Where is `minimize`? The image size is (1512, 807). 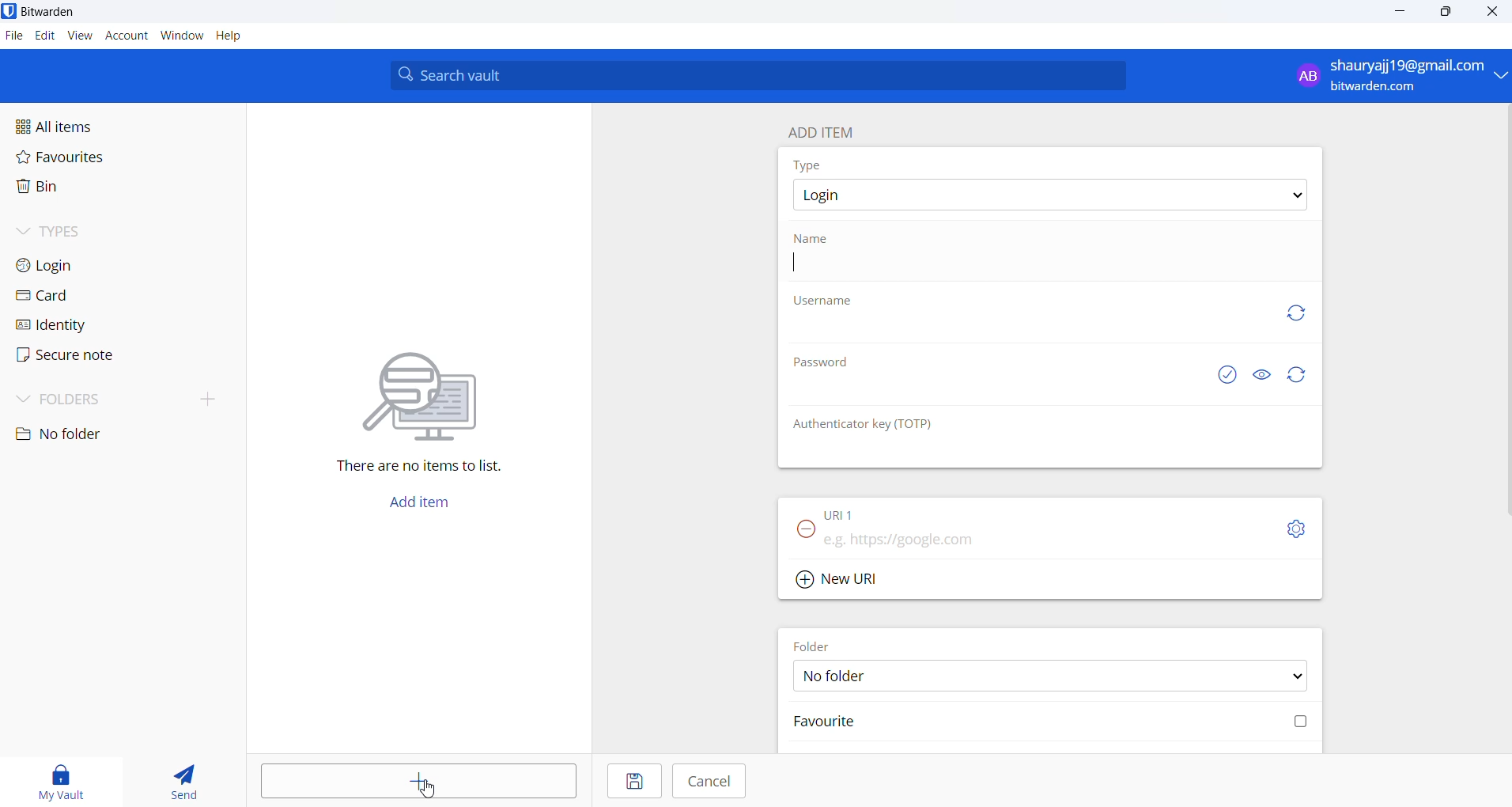
minimize is located at coordinates (1398, 16).